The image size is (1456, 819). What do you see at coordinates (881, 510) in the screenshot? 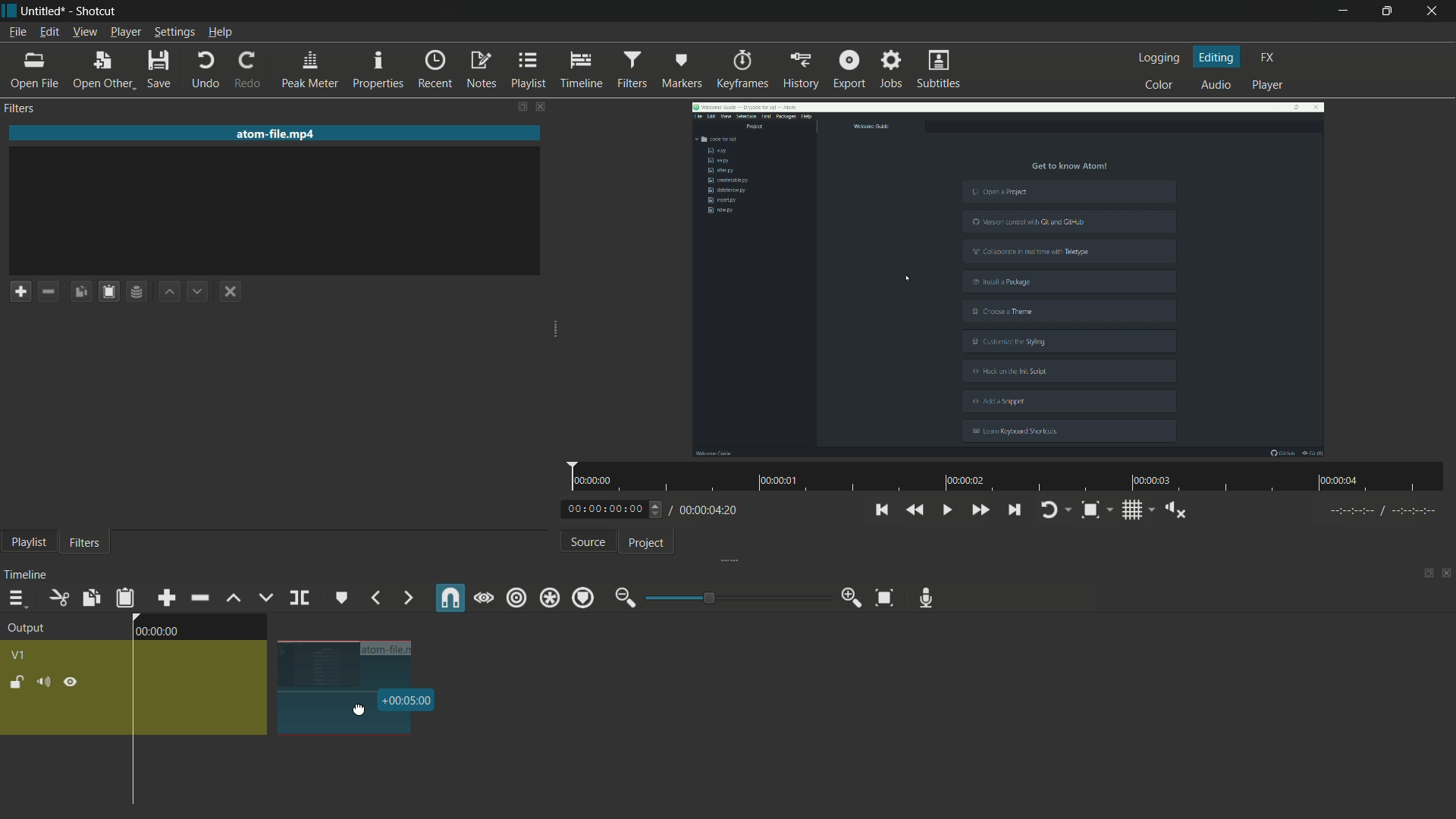
I see `skip to the previous point` at bounding box center [881, 510].